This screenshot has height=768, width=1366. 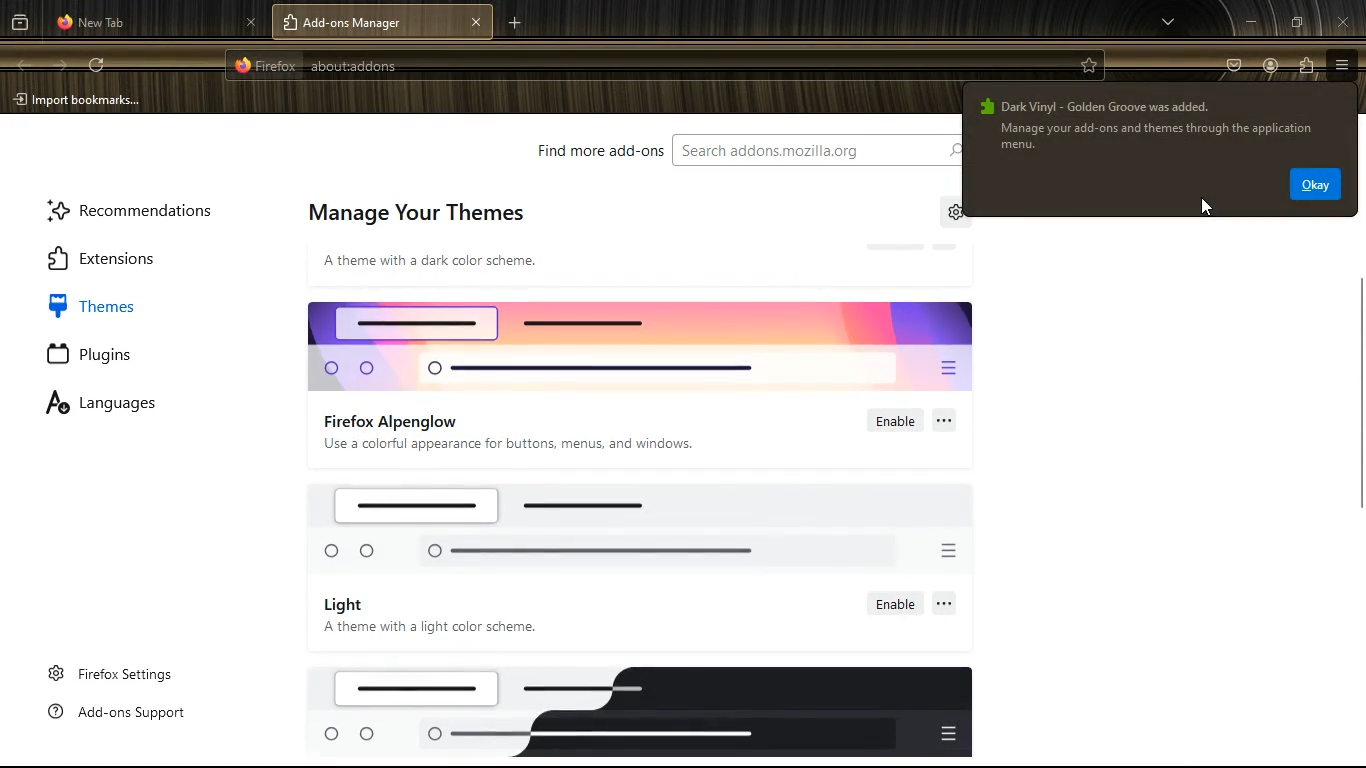 What do you see at coordinates (383, 22) in the screenshot?
I see `add-ons tab` at bounding box center [383, 22].